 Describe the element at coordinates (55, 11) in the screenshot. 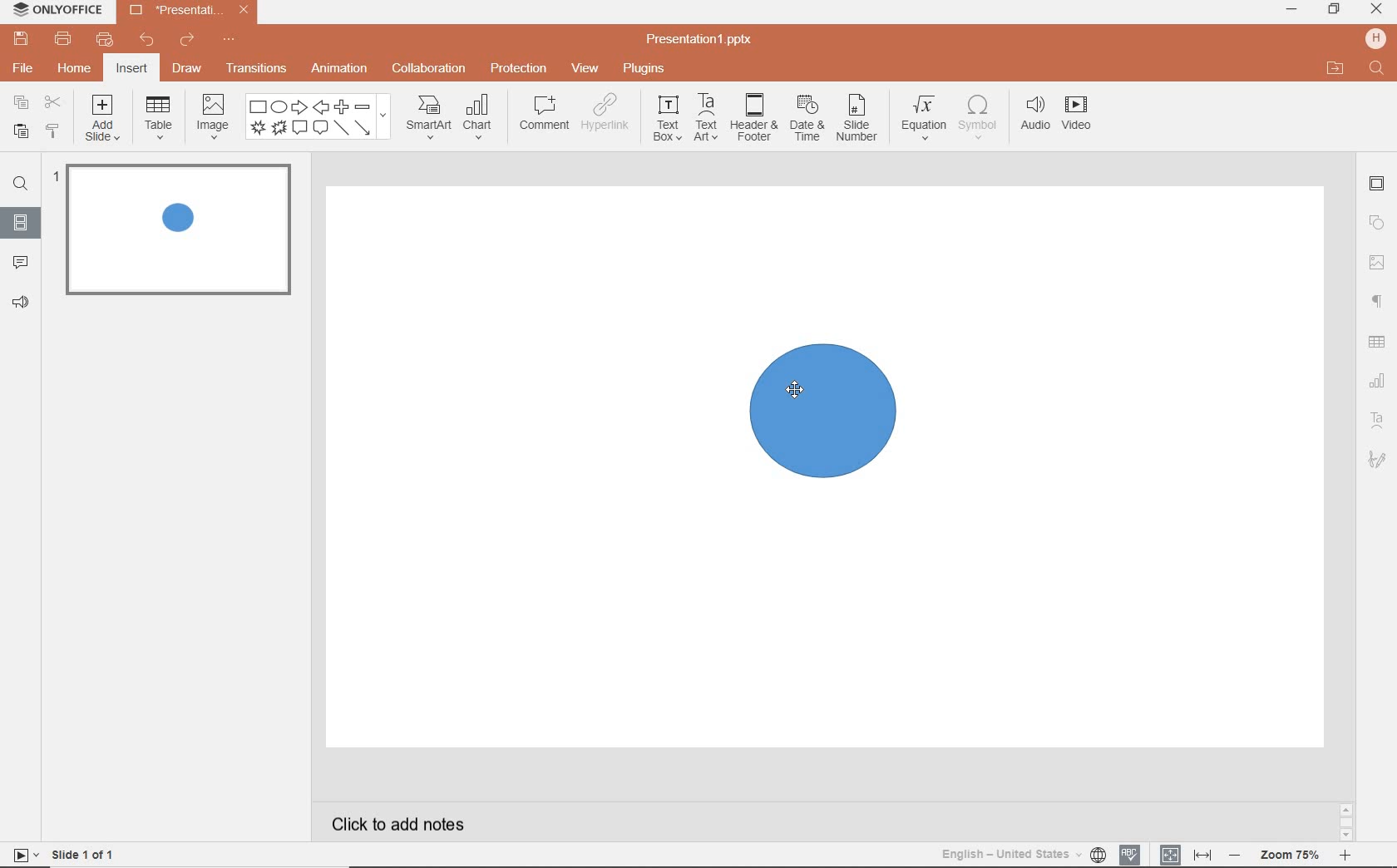

I see `system name` at that location.